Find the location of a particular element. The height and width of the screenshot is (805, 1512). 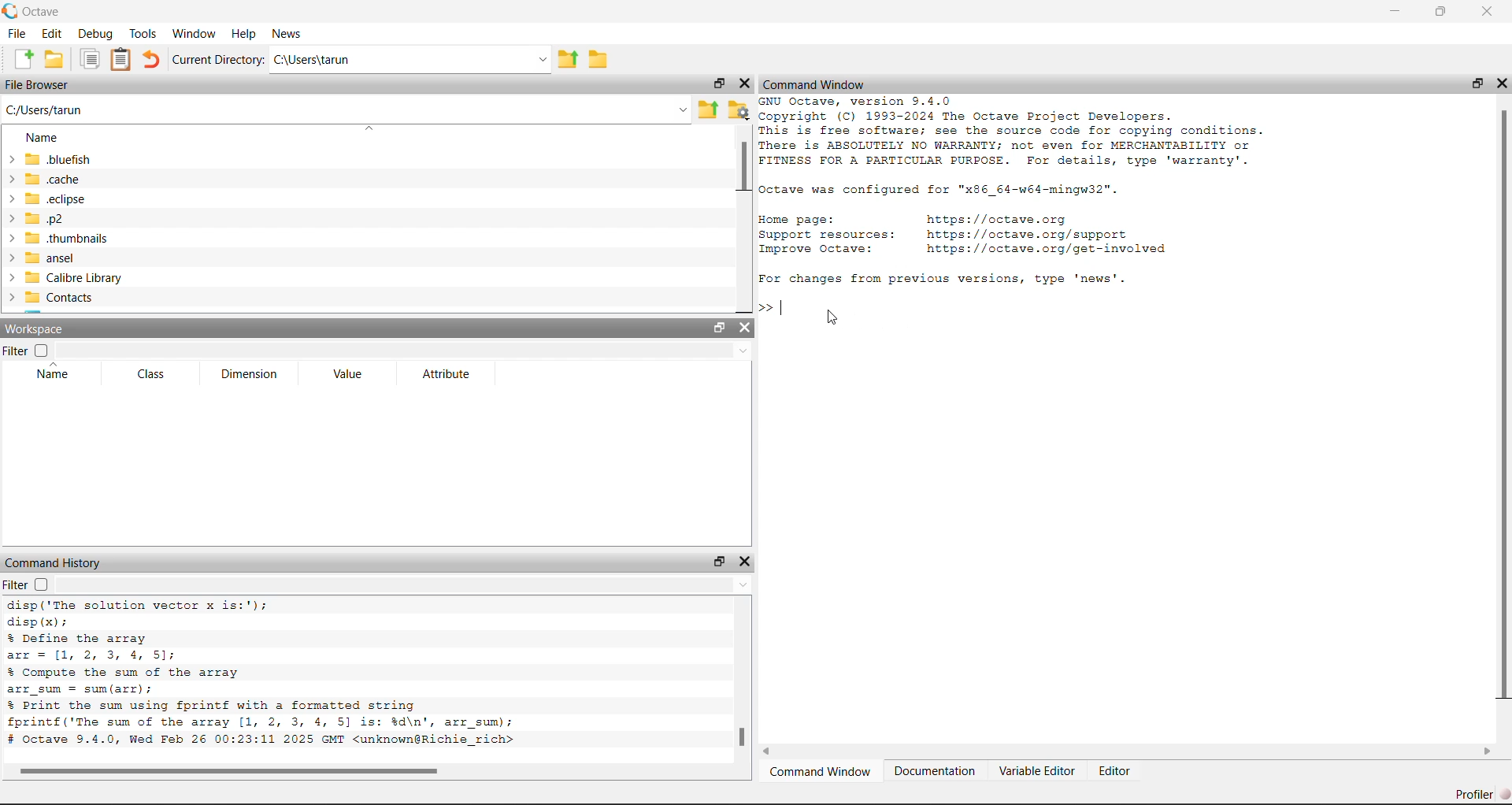

Check box is located at coordinates (43, 585).